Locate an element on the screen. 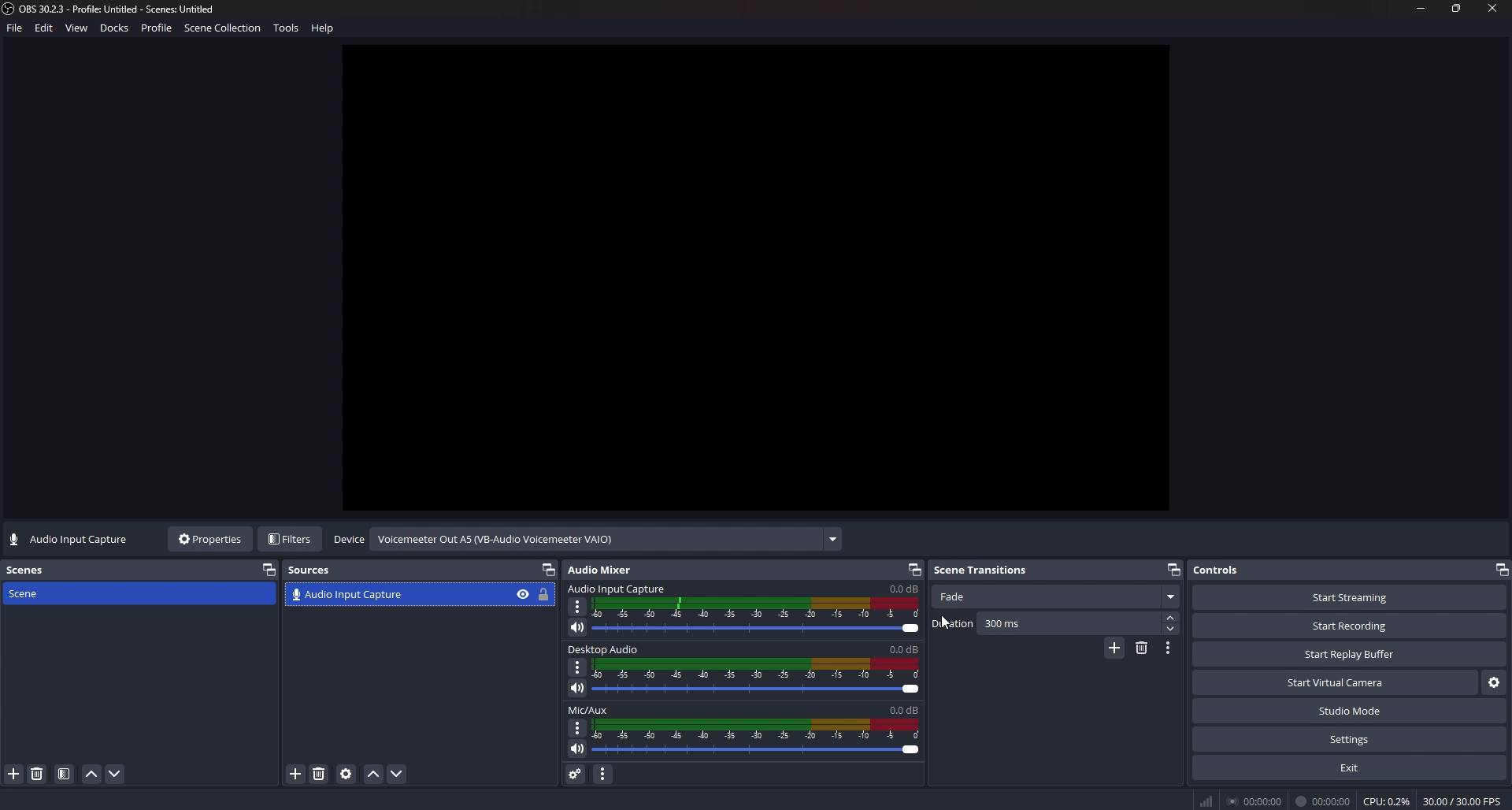 The width and height of the screenshot is (1512, 810). pop out is located at coordinates (913, 569).